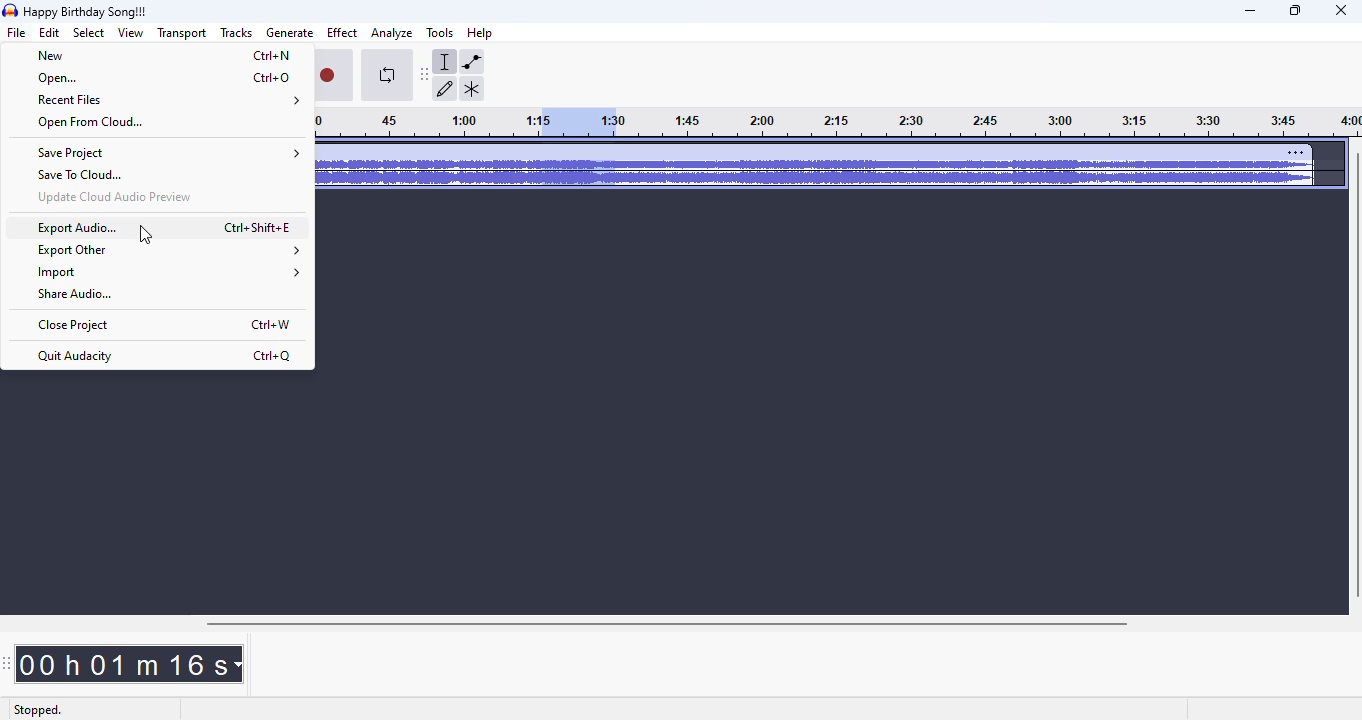  I want to click on new, so click(52, 56).